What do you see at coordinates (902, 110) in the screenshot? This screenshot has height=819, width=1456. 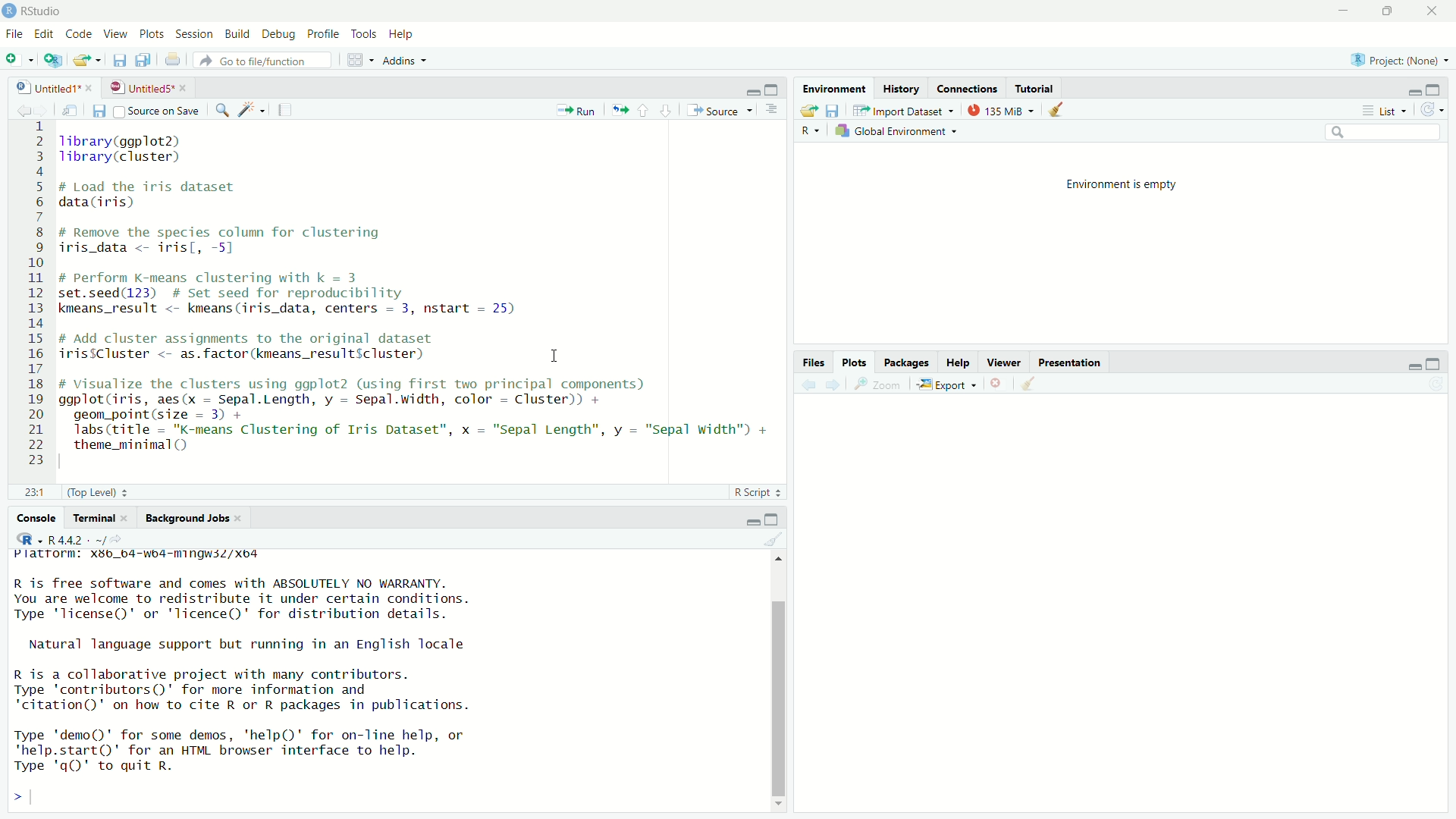 I see `import dataset` at bounding box center [902, 110].